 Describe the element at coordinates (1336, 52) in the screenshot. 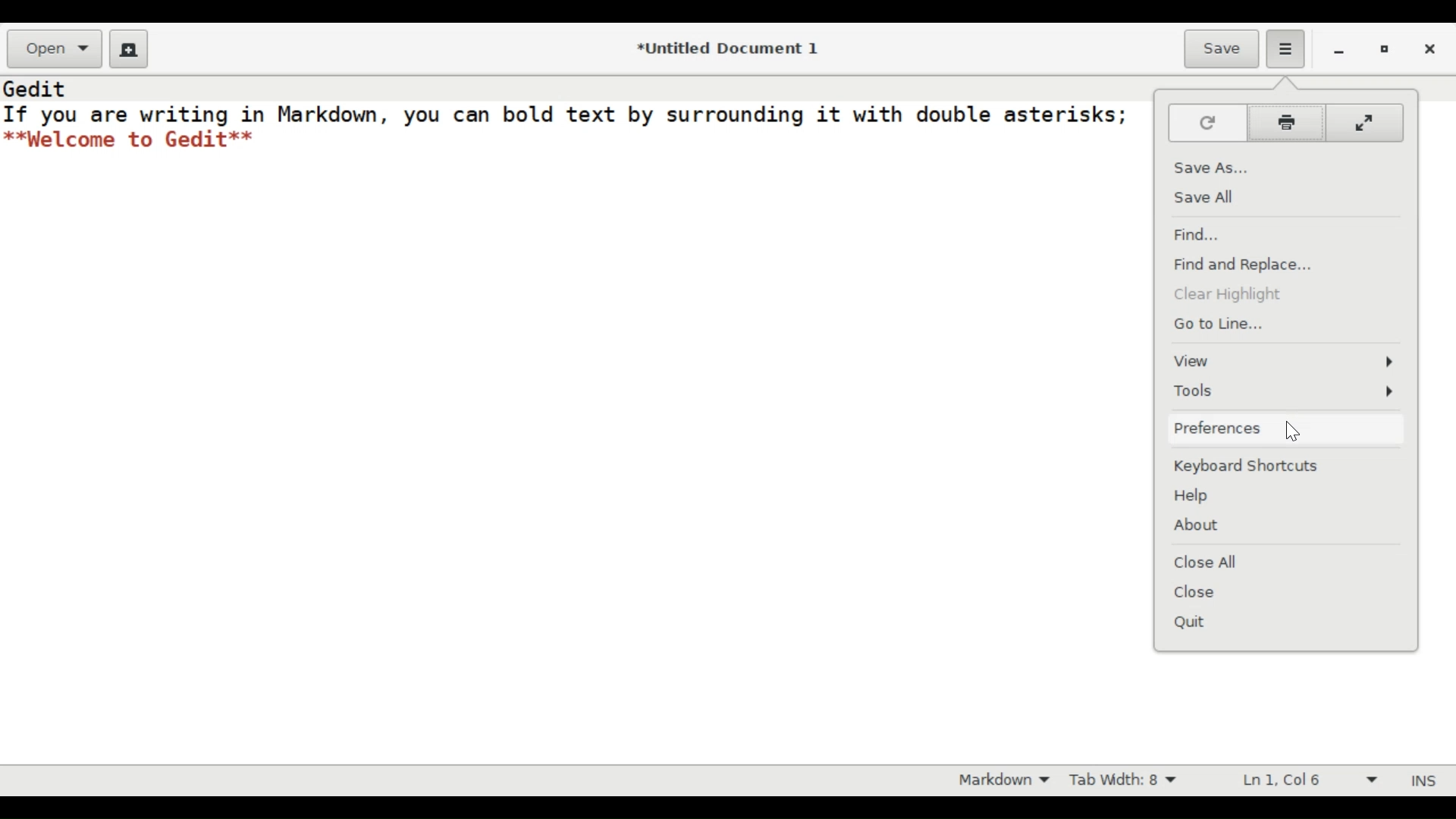

I see `minimize` at that location.